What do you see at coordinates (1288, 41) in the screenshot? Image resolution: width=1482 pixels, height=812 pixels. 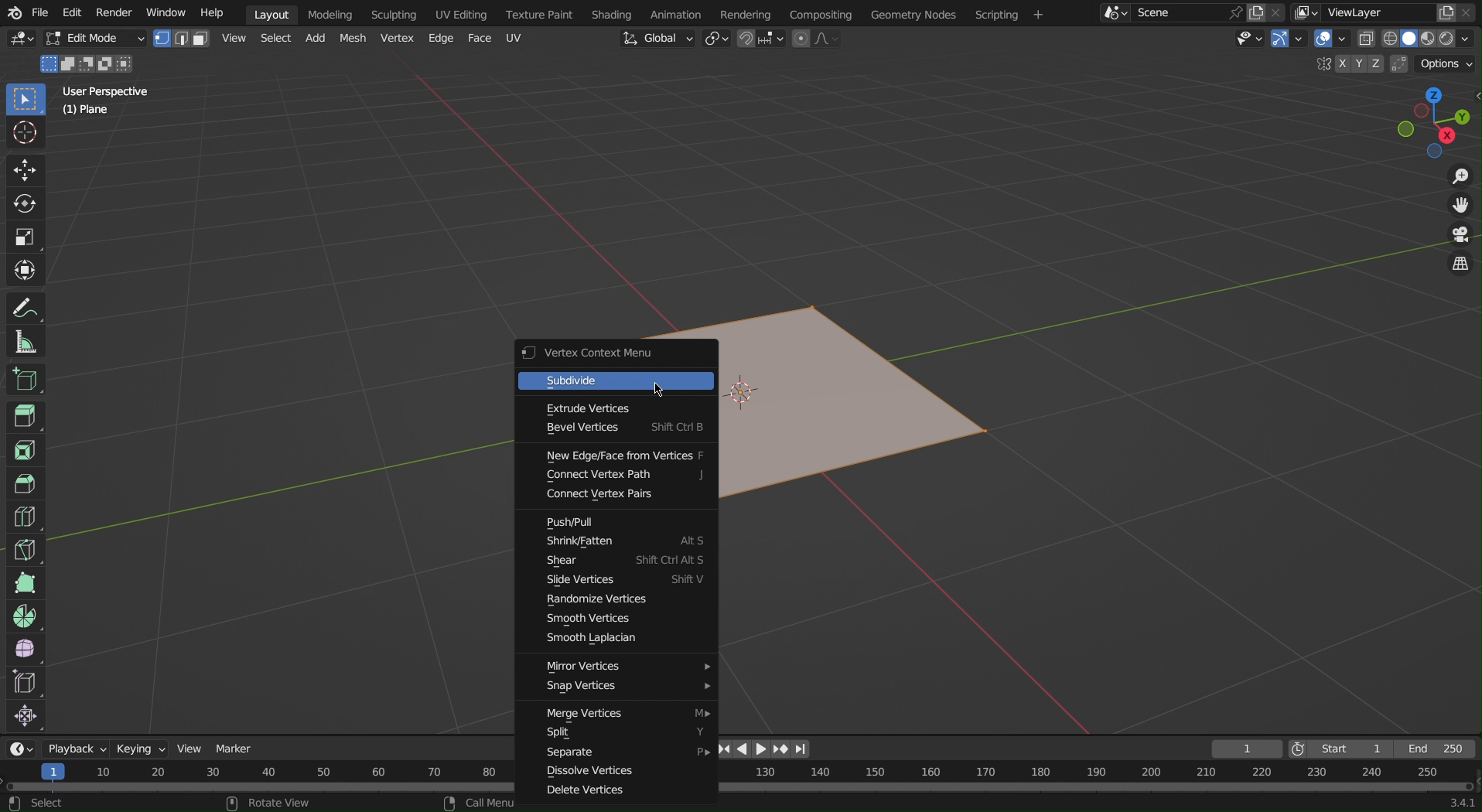 I see `Show Gizmo` at bounding box center [1288, 41].